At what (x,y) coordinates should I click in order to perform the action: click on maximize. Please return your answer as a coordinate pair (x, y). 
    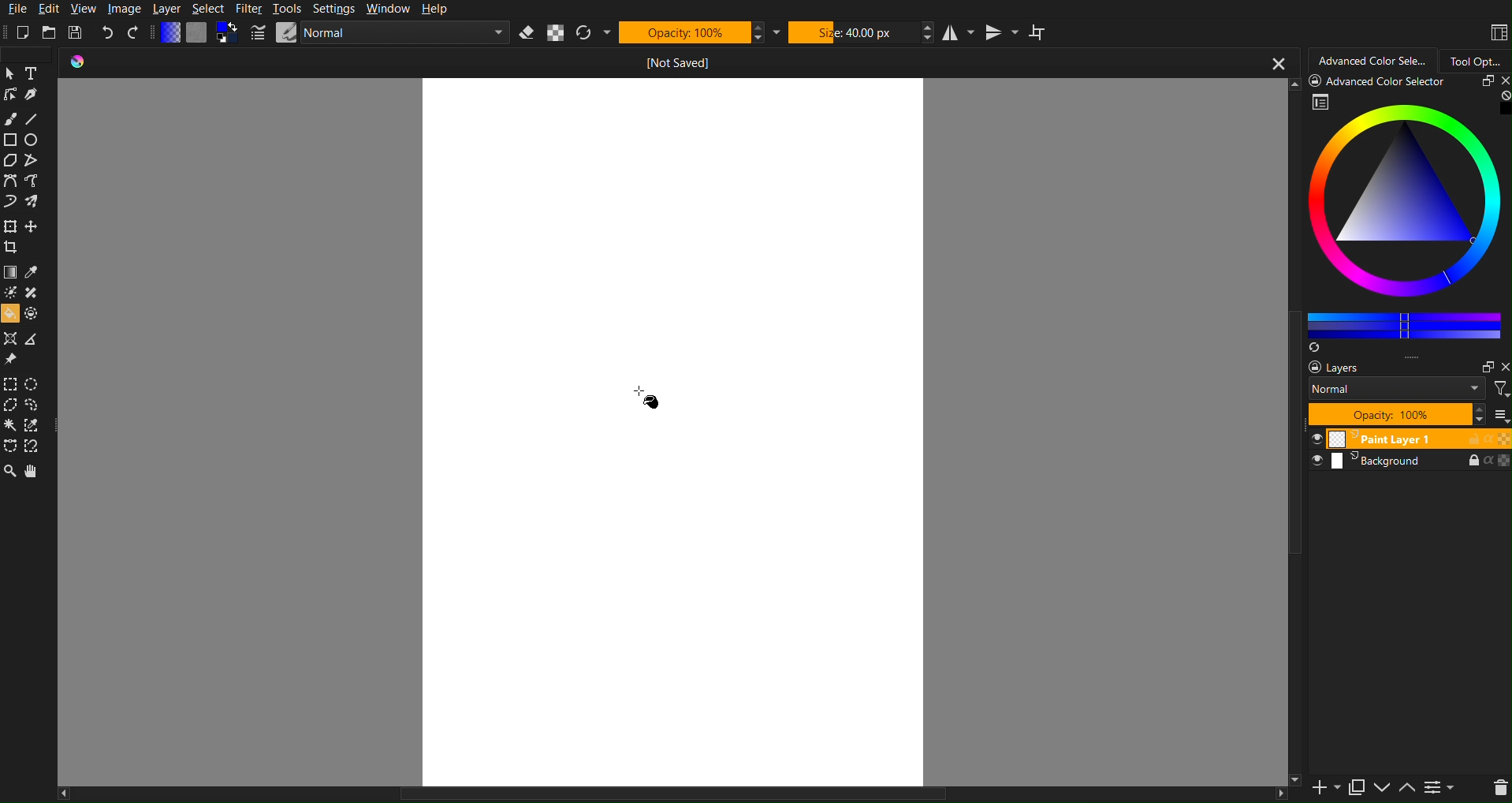
    Looking at the image, I should click on (1480, 81).